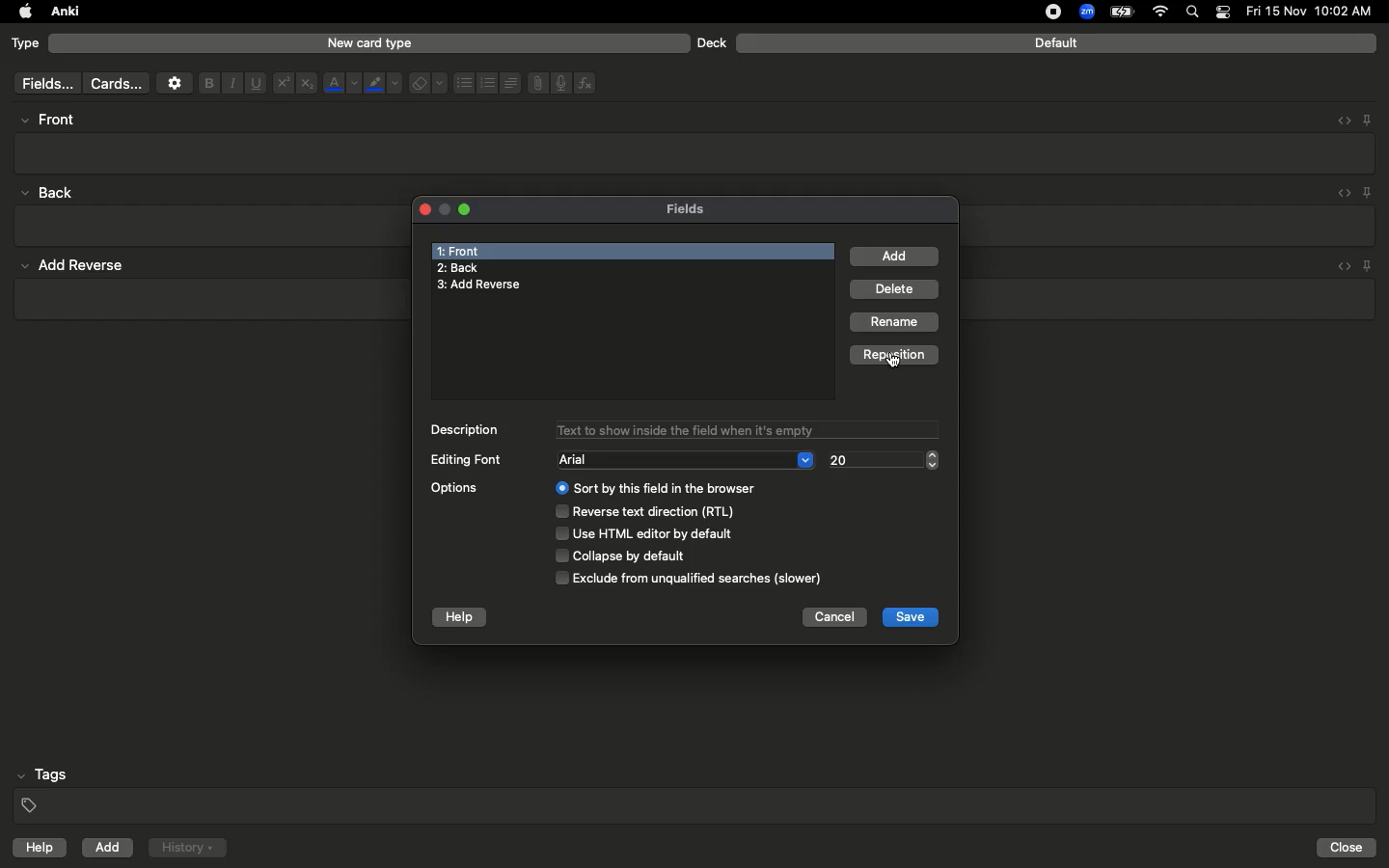 The image size is (1389, 868). Describe the element at coordinates (109, 848) in the screenshot. I see `Add` at that location.